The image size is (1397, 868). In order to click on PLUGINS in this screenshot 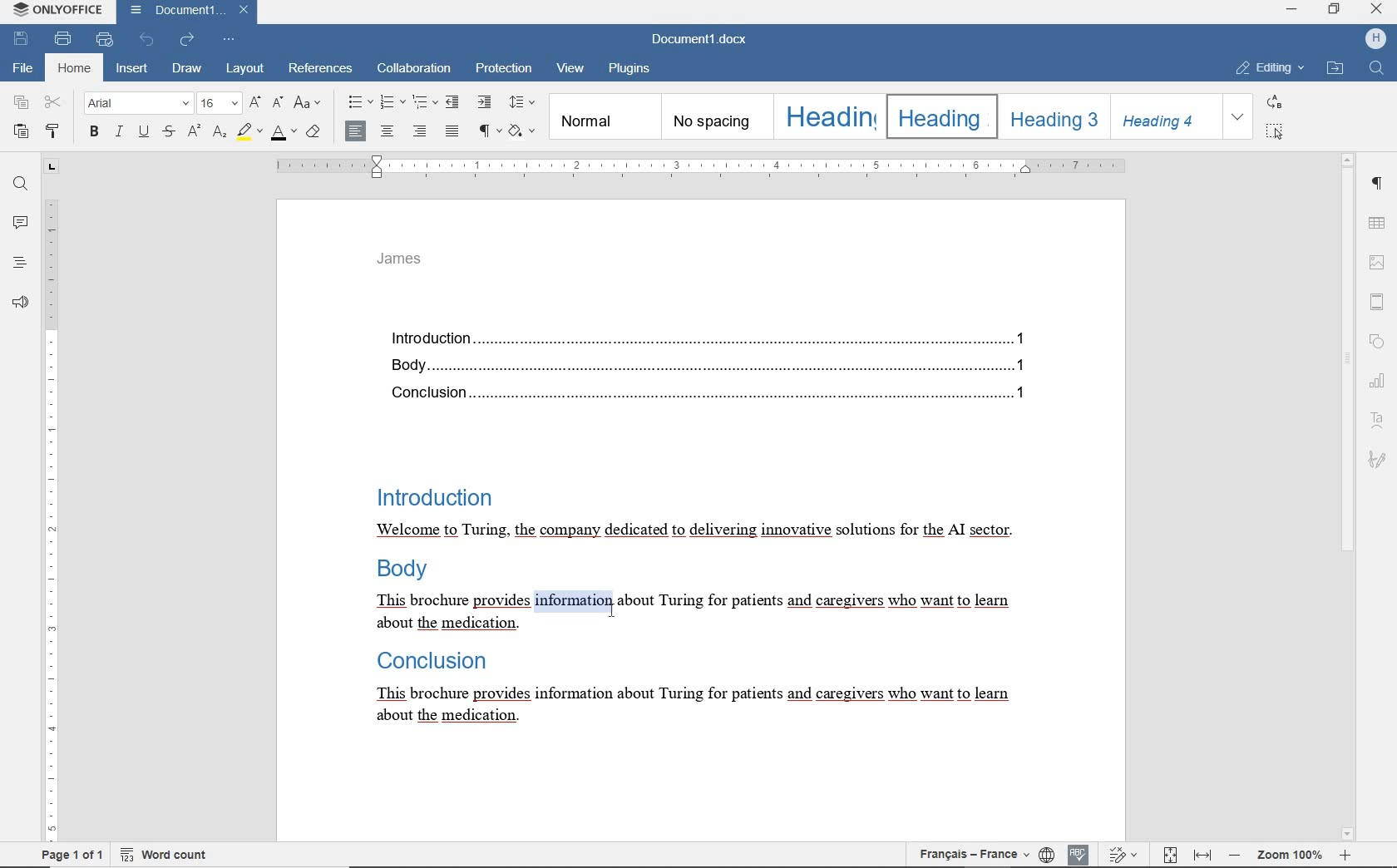, I will do `click(634, 70)`.